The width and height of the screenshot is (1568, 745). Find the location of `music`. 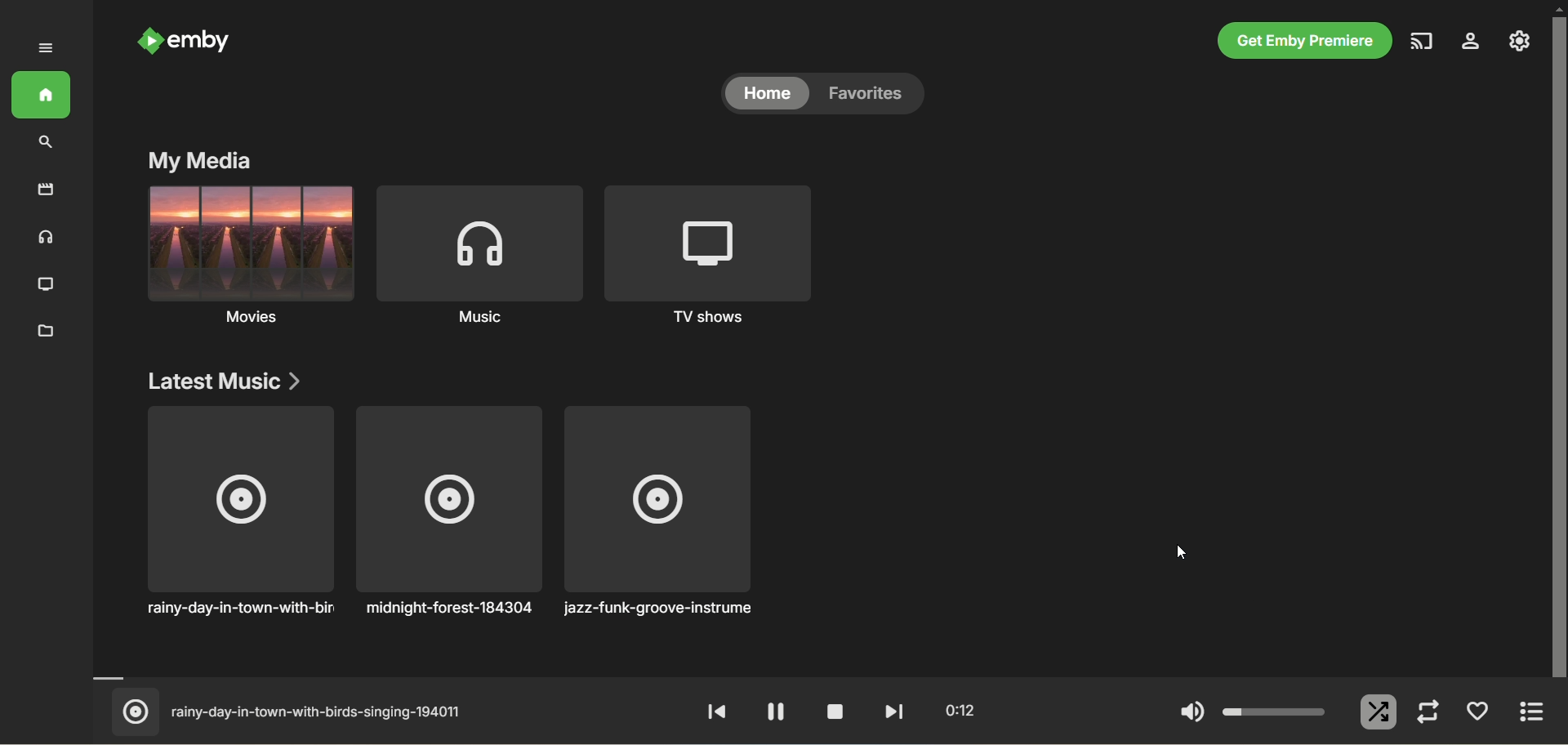

music is located at coordinates (47, 238).